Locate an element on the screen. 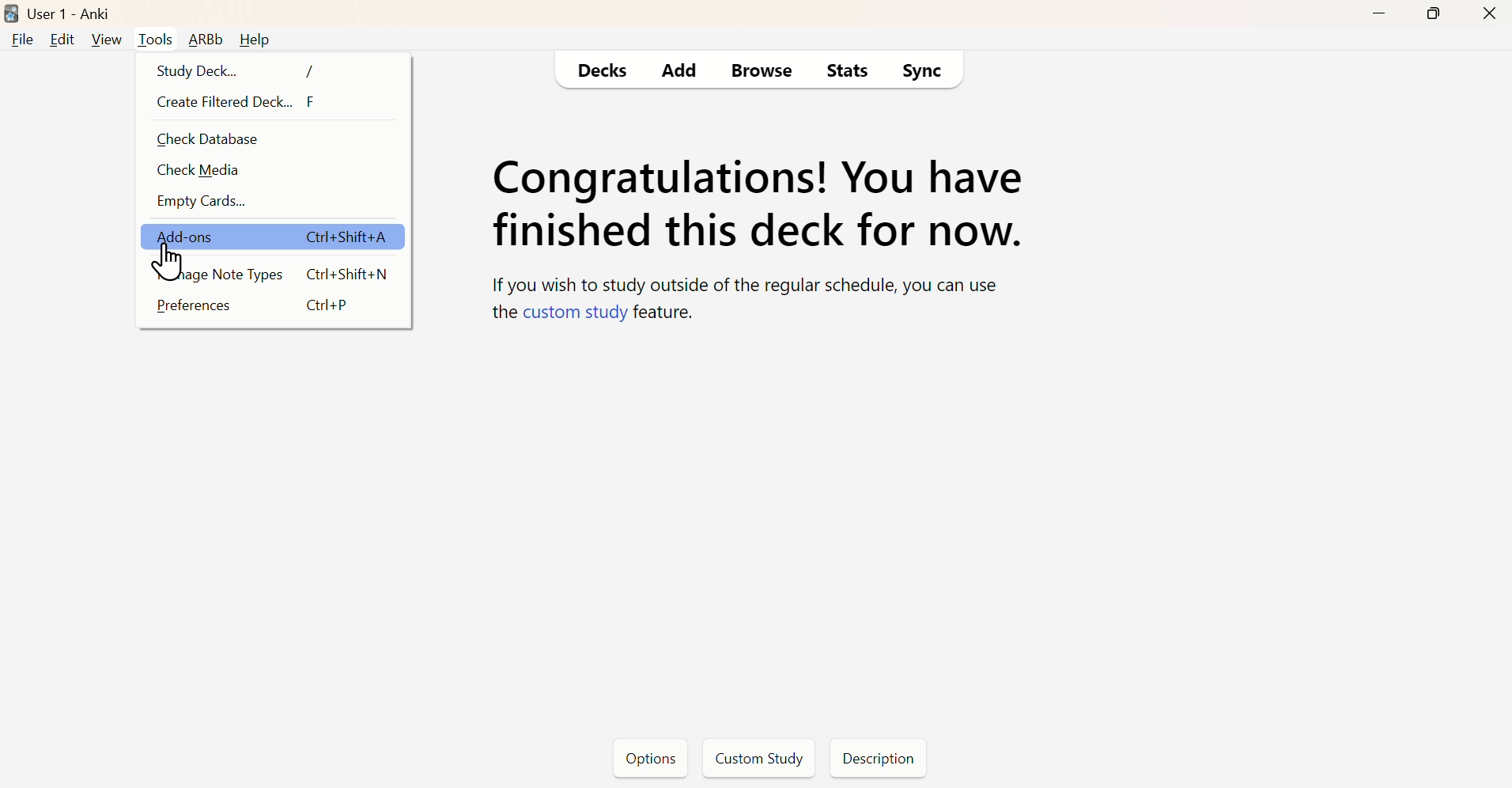 The height and width of the screenshot is (788, 1512). Custom Study is located at coordinates (758, 757).